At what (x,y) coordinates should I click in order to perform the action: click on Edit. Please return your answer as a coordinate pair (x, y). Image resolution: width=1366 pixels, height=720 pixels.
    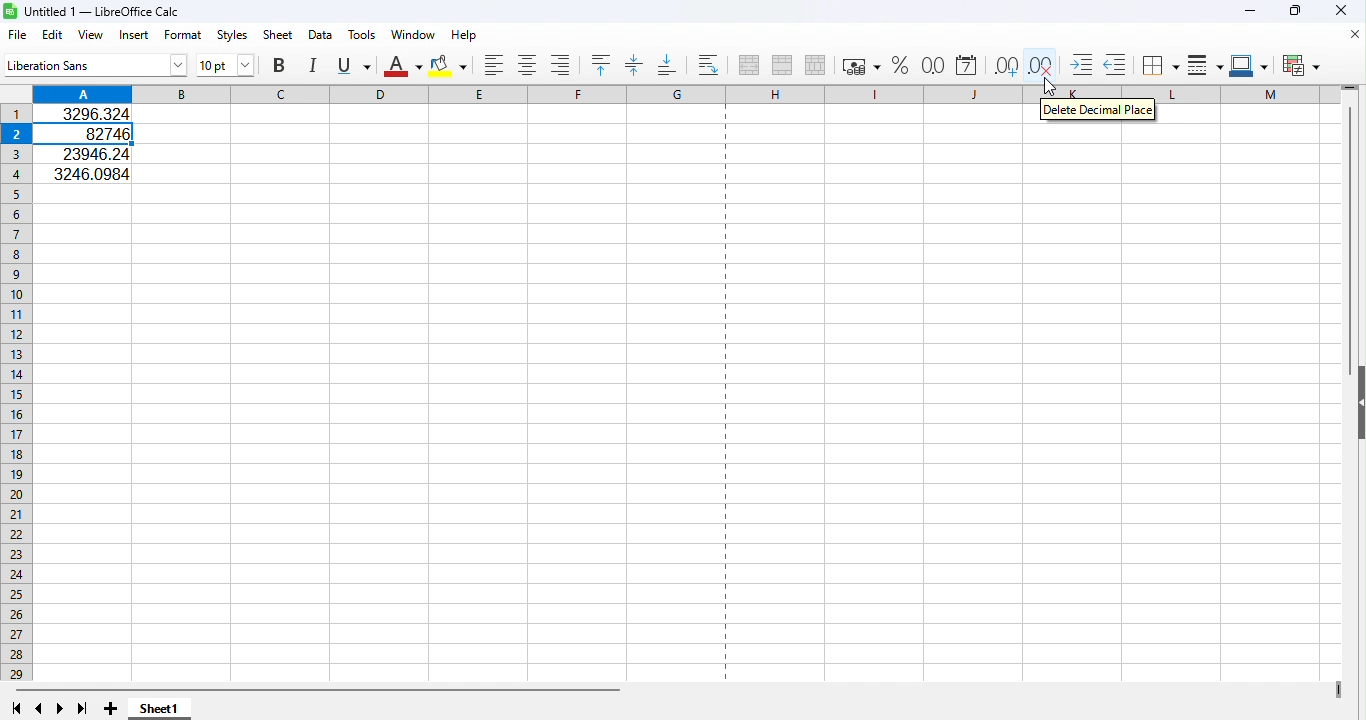
    Looking at the image, I should click on (51, 34).